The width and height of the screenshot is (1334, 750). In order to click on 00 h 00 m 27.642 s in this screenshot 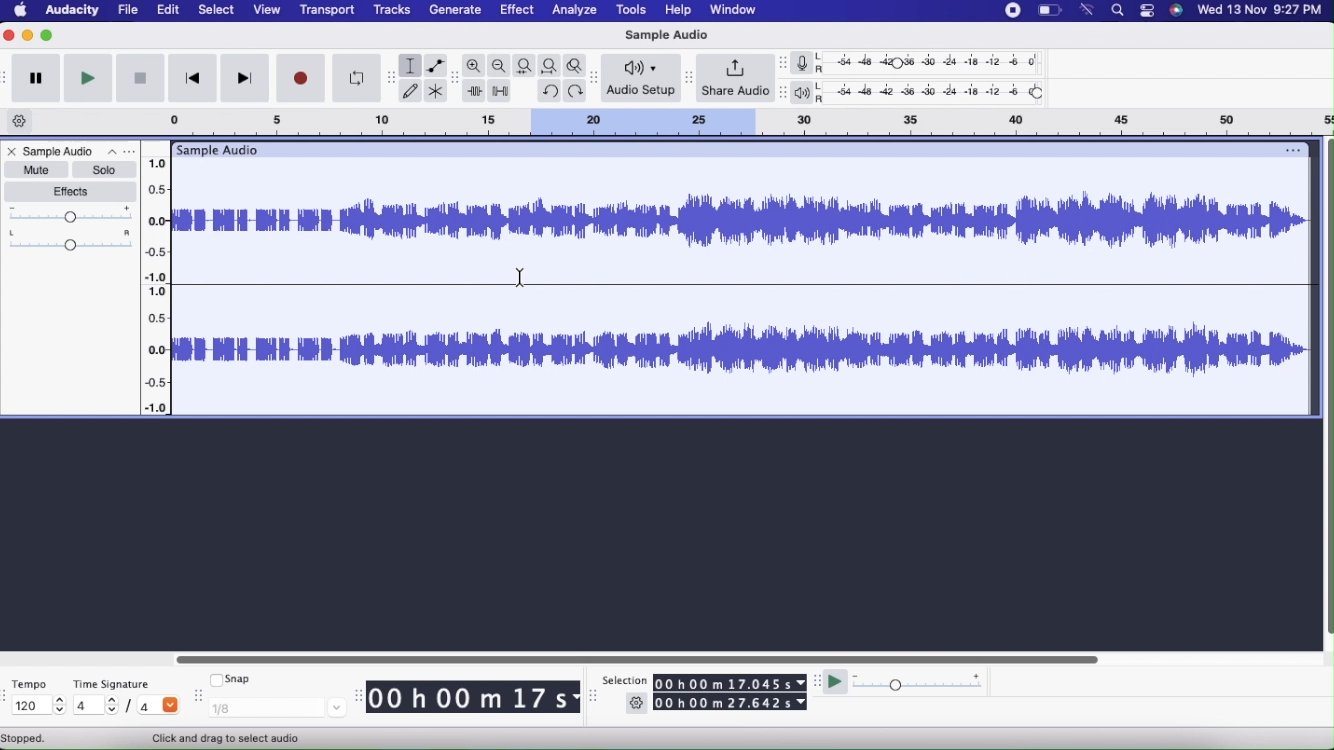, I will do `click(731, 704)`.